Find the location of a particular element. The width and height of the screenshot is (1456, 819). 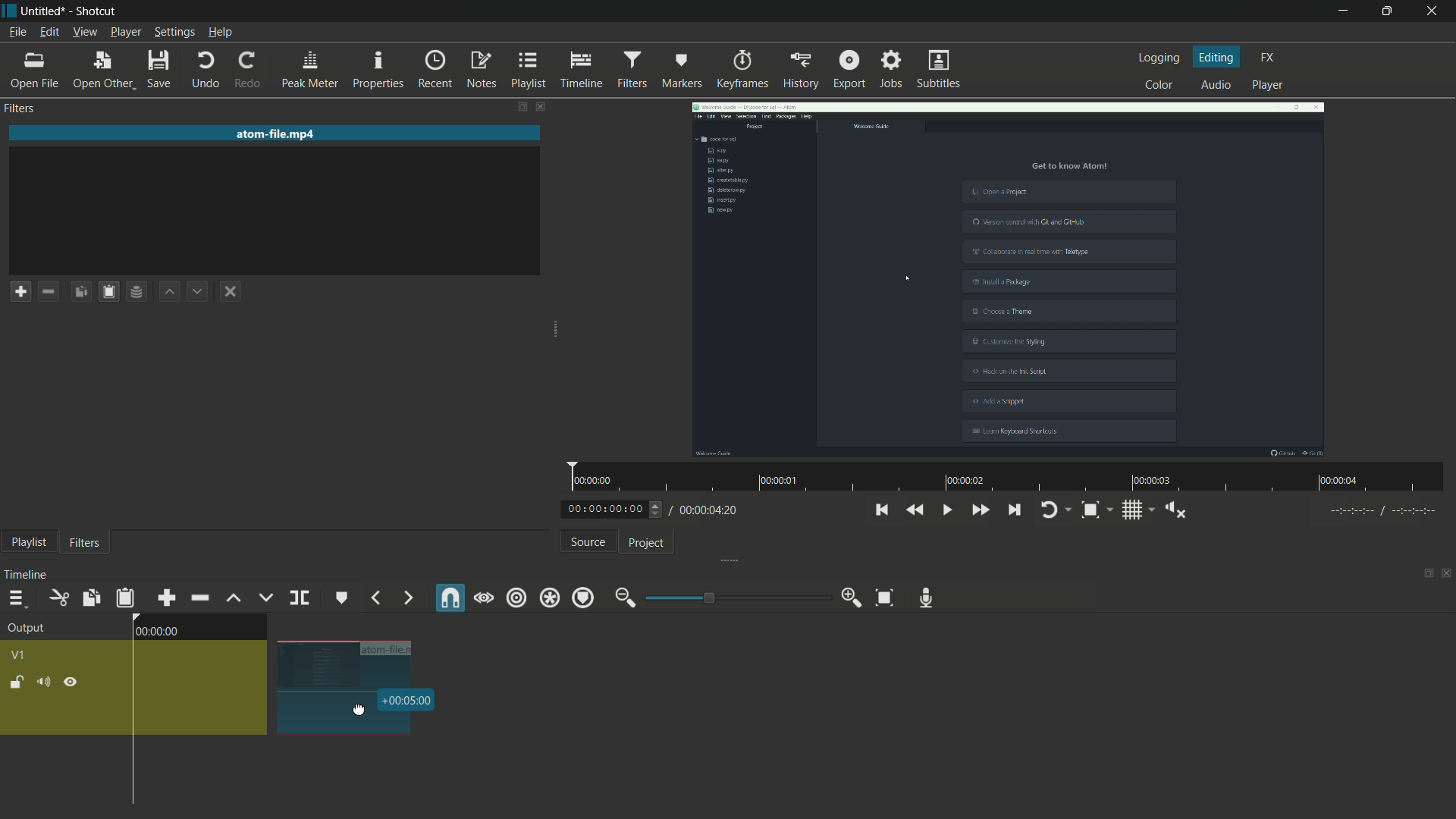

properties is located at coordinates (378, 68).